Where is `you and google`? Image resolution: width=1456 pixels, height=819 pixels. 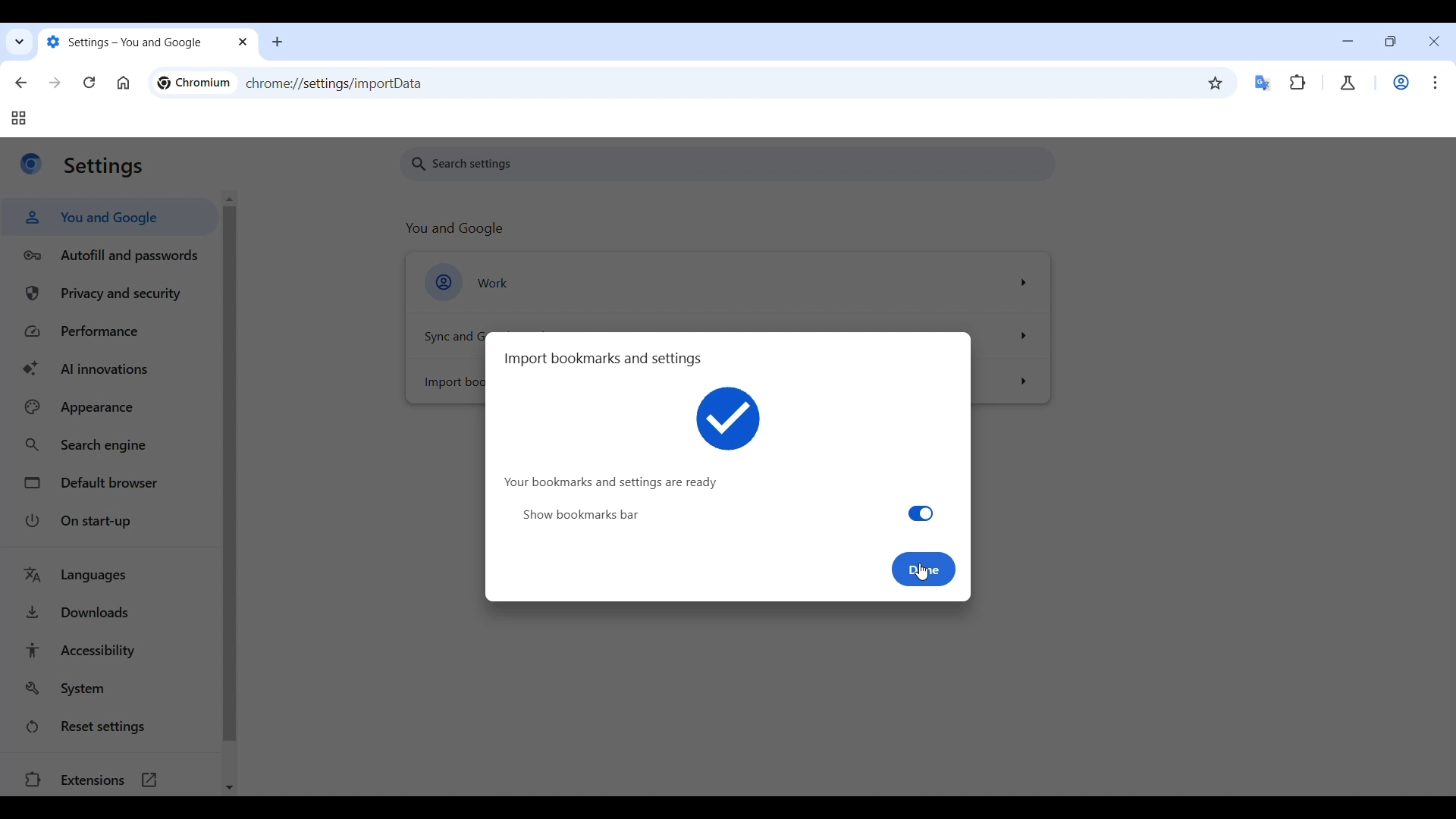
you and google is located at coordinates (457, 229).